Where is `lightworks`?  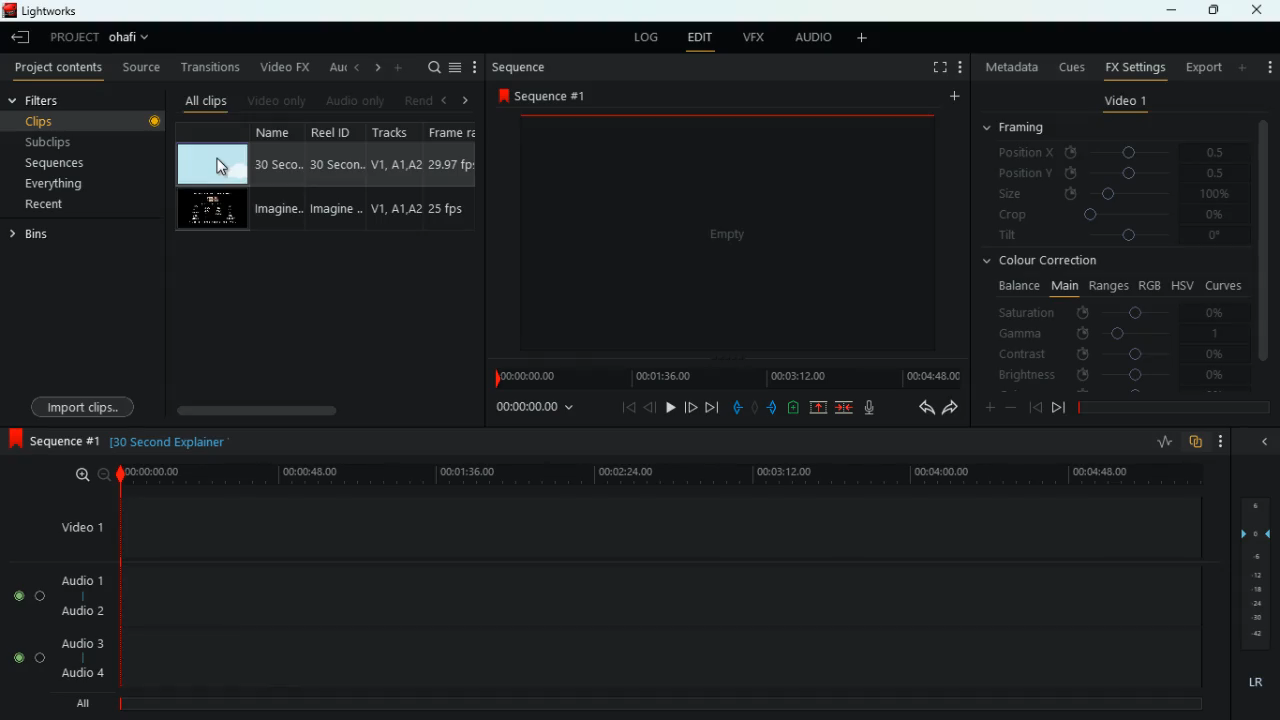
lightworks is located at coordinates (44, 12).